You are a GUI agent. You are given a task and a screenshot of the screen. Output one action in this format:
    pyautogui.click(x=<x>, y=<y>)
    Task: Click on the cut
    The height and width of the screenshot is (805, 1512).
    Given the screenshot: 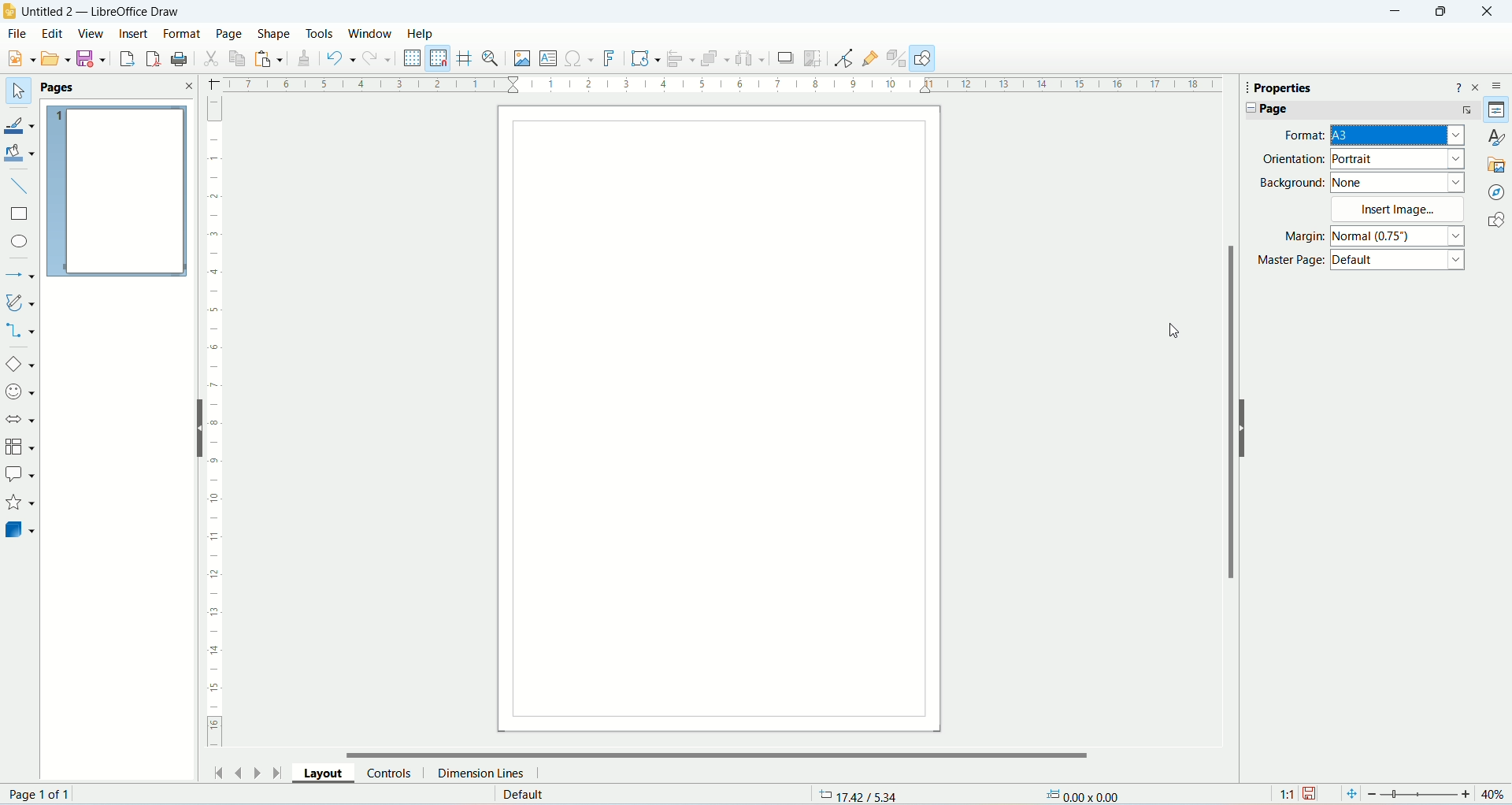 What is the action you would take?
    pyautogui.click(x=214, y=57)
    